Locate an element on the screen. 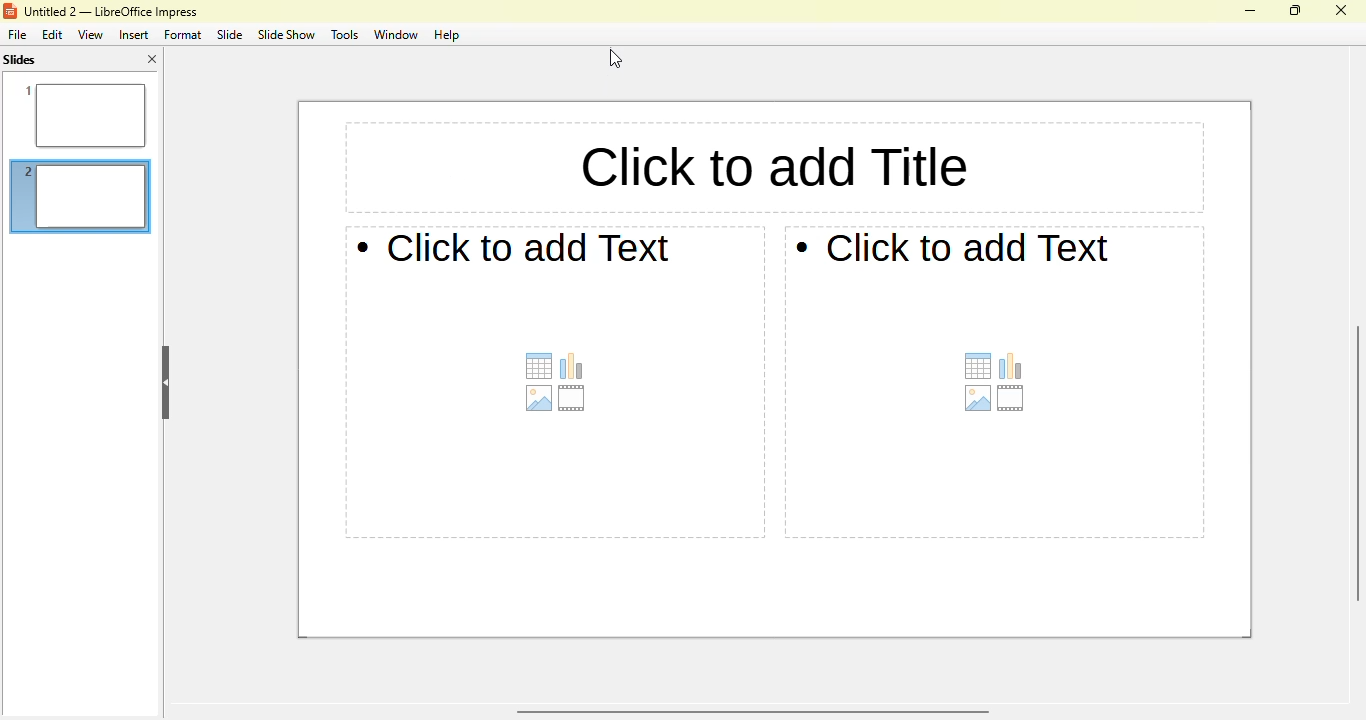 Image resolution: width=1366 pixels, height=720 pixels. text is located at coordinates (513, 247).